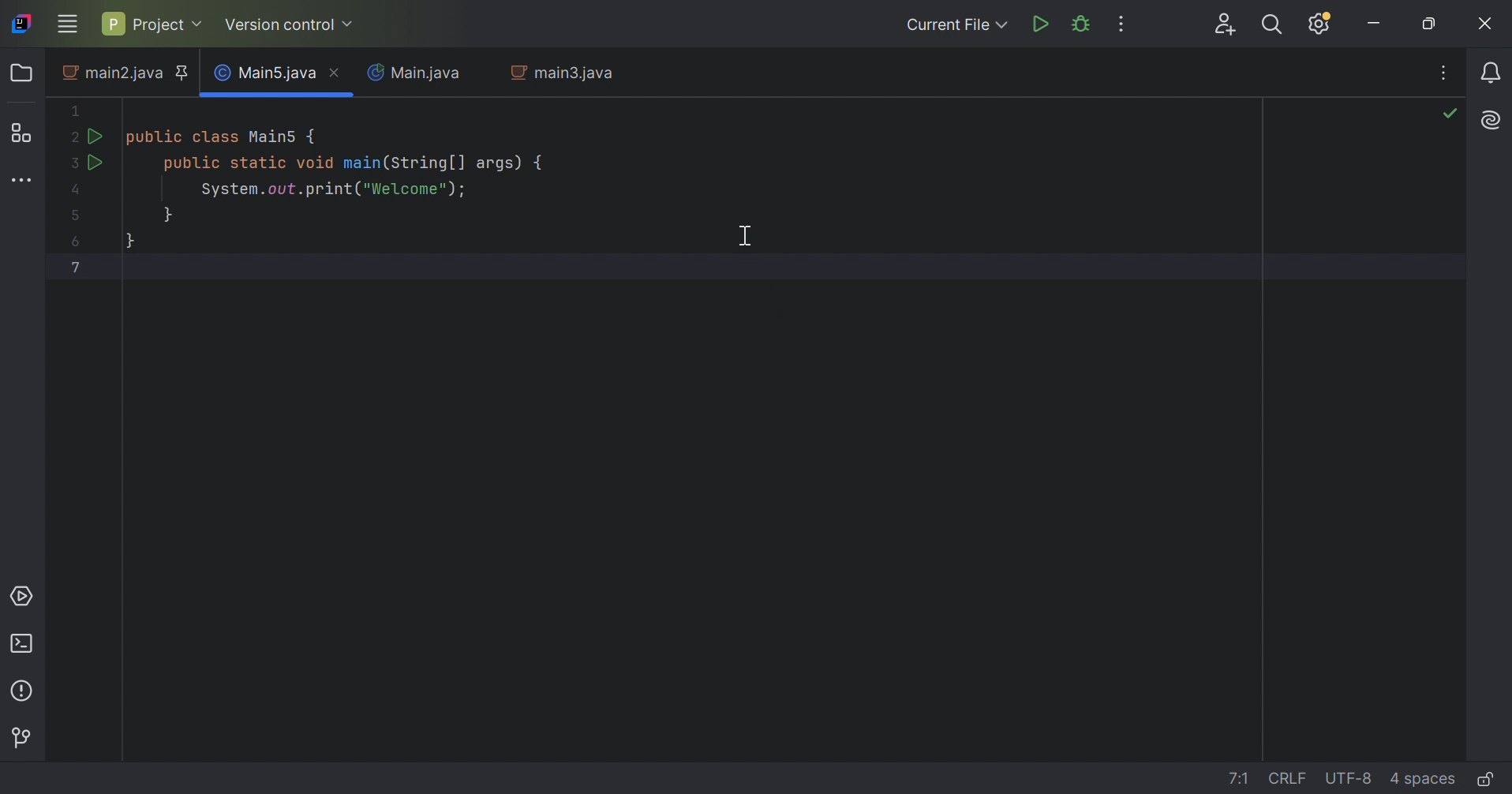 The height and width of the screenshot is (794, 1512). Describe the element at coordinates (1493, 73) in the screenshot. I see `Notifications` at that location.